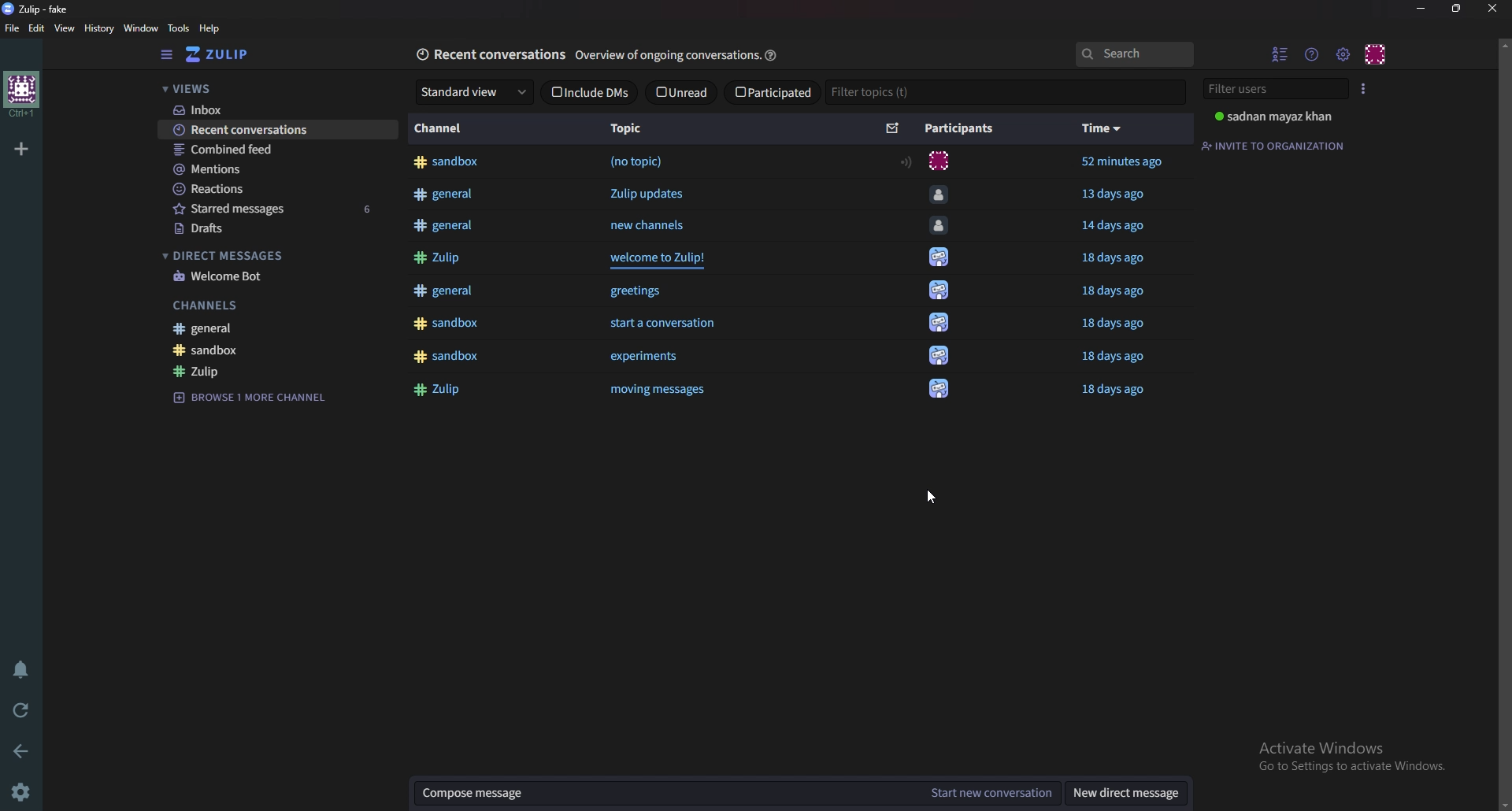 This screenshot has height=811, width=1512. I want to click on icon, so click(943, 389).